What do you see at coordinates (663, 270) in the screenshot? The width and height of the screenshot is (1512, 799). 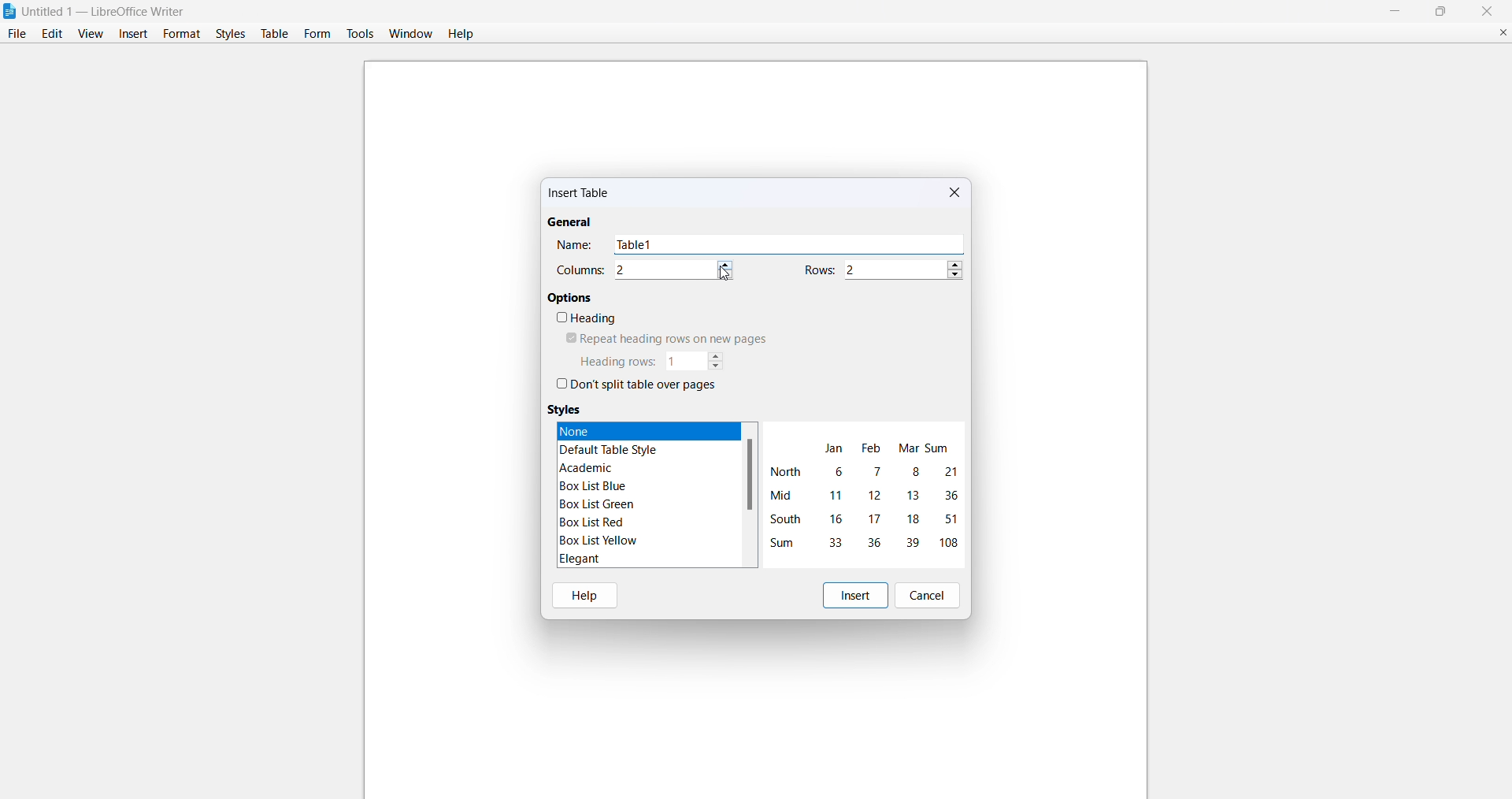 I see `number of columns 2` at bounding box center [663, 270].